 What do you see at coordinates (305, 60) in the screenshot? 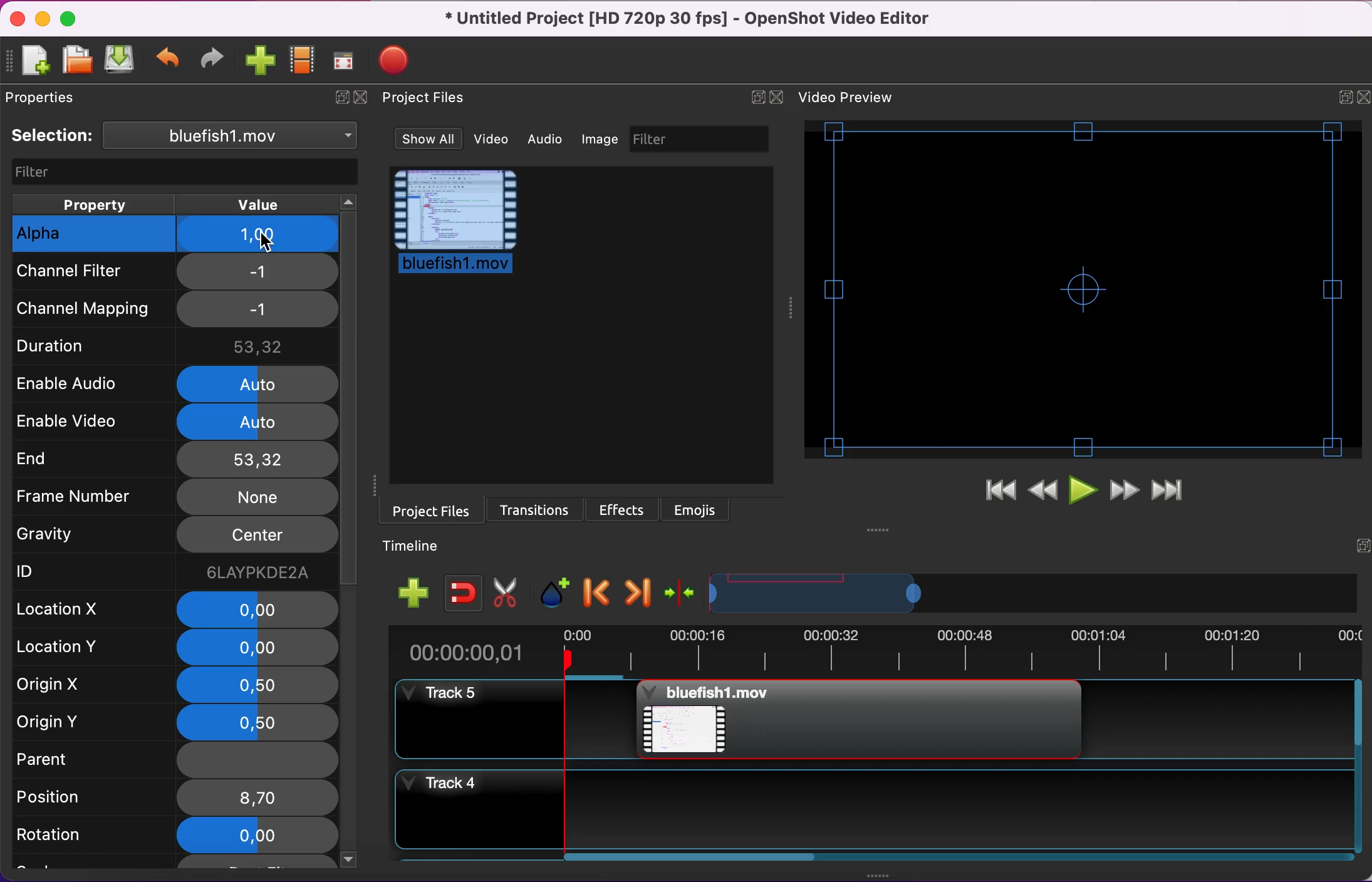
I see `choose profile` at bounding box center [305, 60].